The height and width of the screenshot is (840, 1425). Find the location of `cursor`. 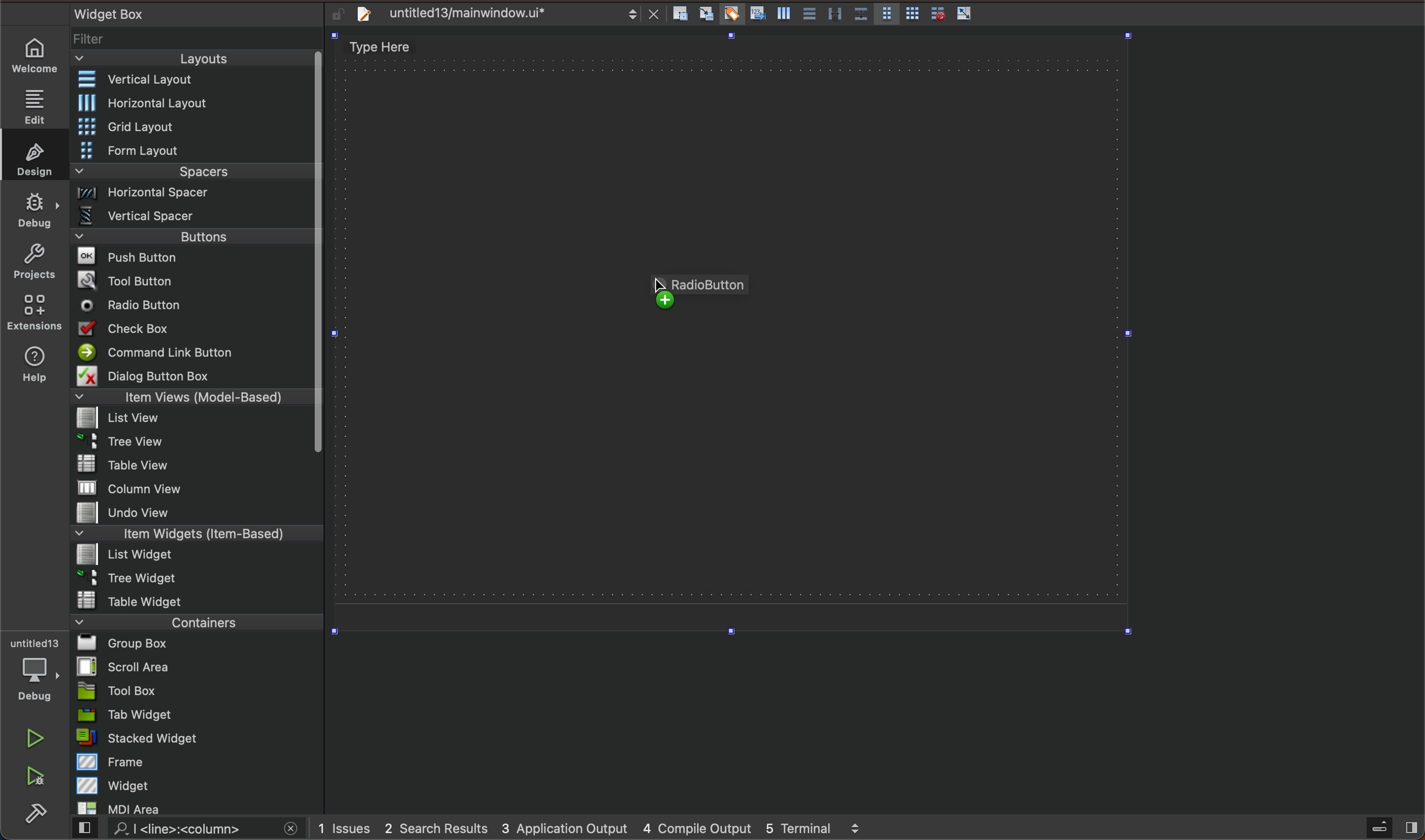

cursor is located at coordinates (658, 293).